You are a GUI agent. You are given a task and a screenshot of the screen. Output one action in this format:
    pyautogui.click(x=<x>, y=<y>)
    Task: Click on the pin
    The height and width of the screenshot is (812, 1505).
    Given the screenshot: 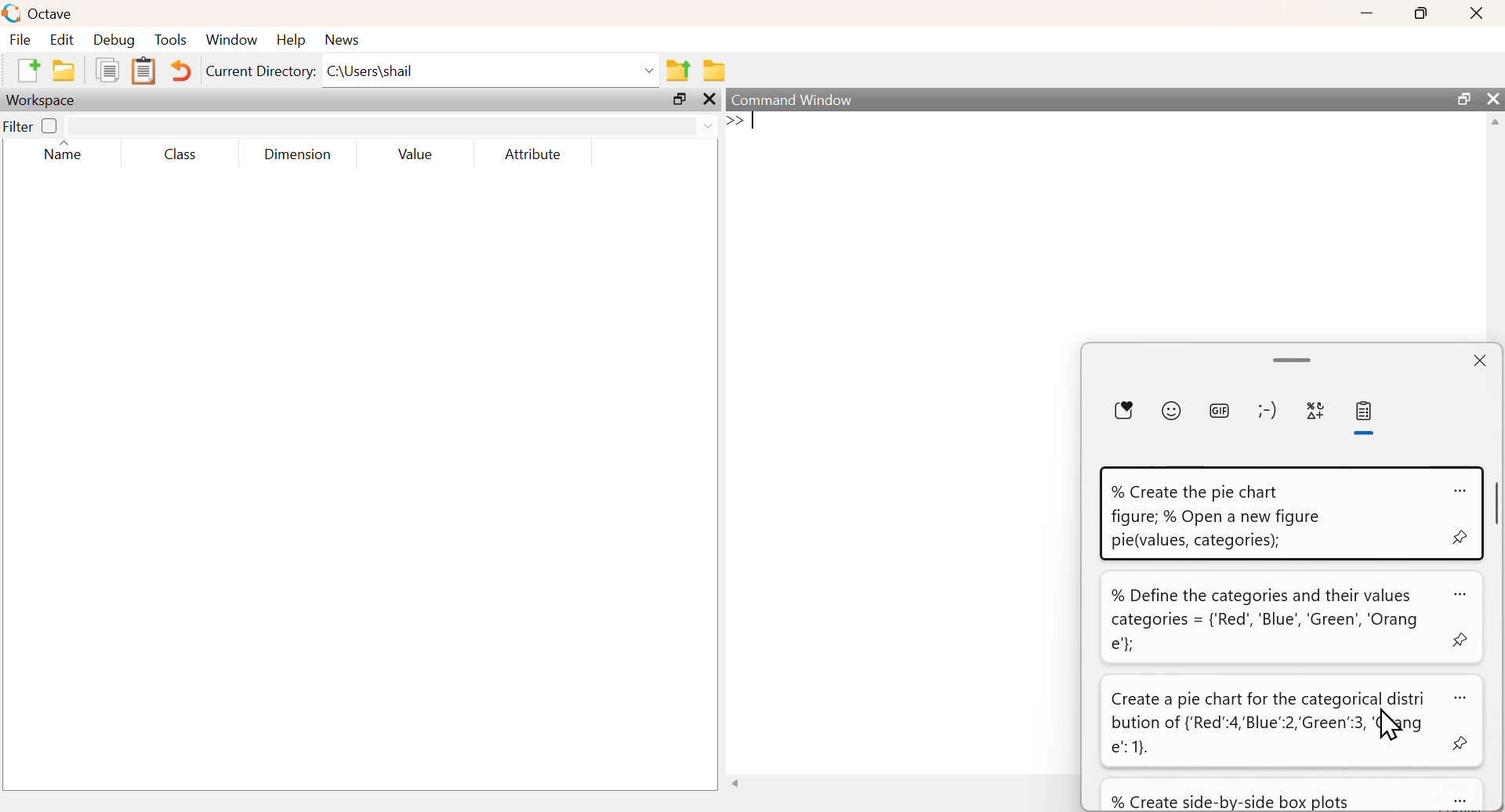 What is the action you would take?
    pyautogui.click(x=1463, y=745)
    